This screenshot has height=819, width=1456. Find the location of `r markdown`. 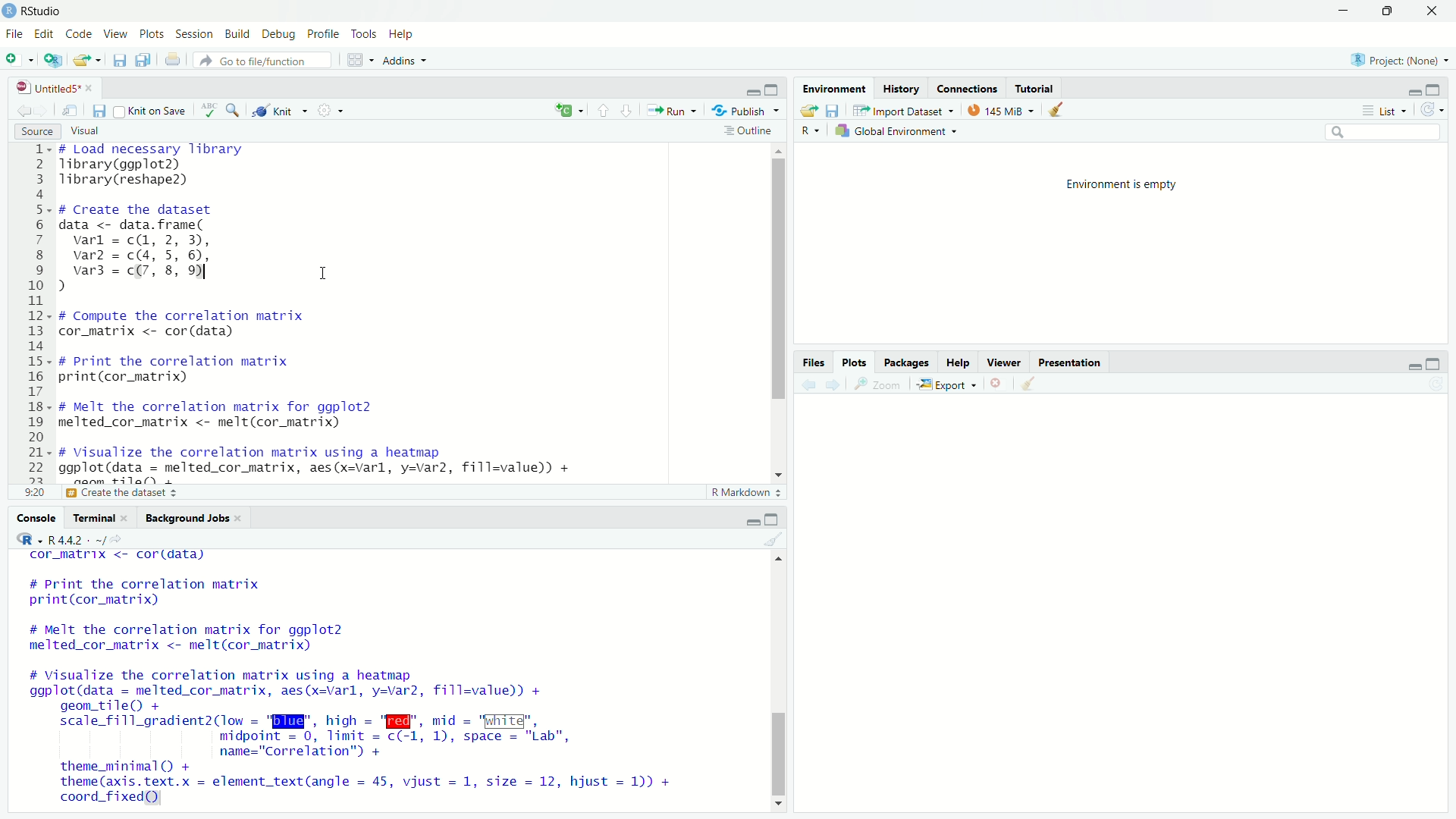

r markdown is located at coordinates (748, 493).